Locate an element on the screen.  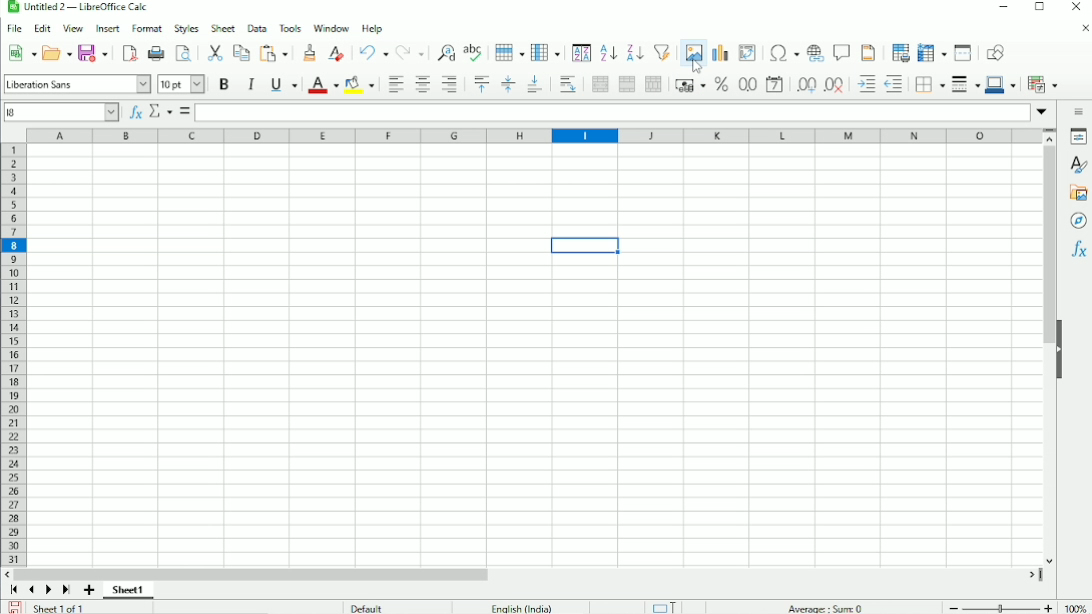
Insert is located at coordinates (107, 27).